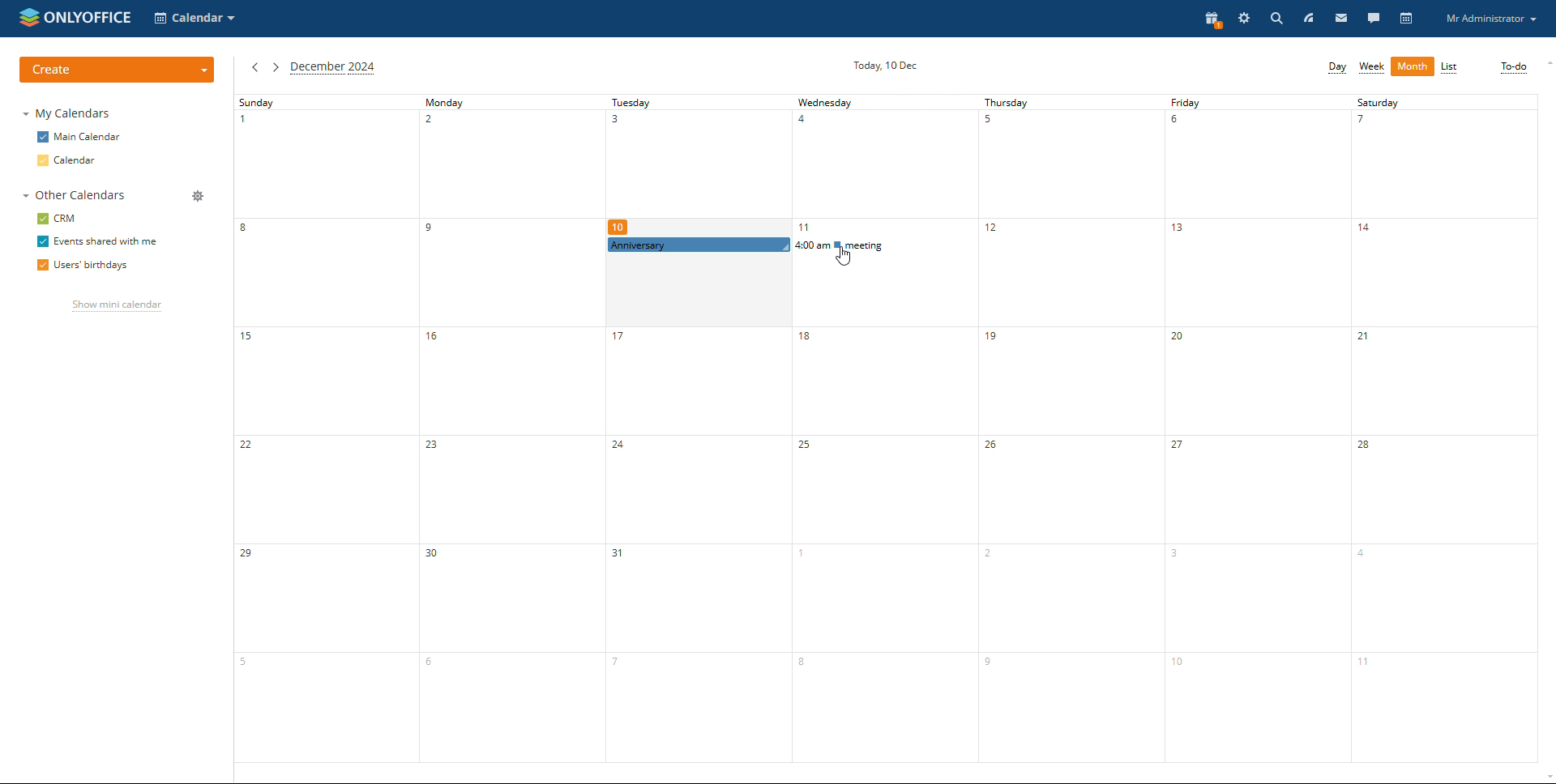 The image size is (1556, 784). Describe the element at coordinates (1546, 777) in the screenshot. I see `scroll down` at that location.